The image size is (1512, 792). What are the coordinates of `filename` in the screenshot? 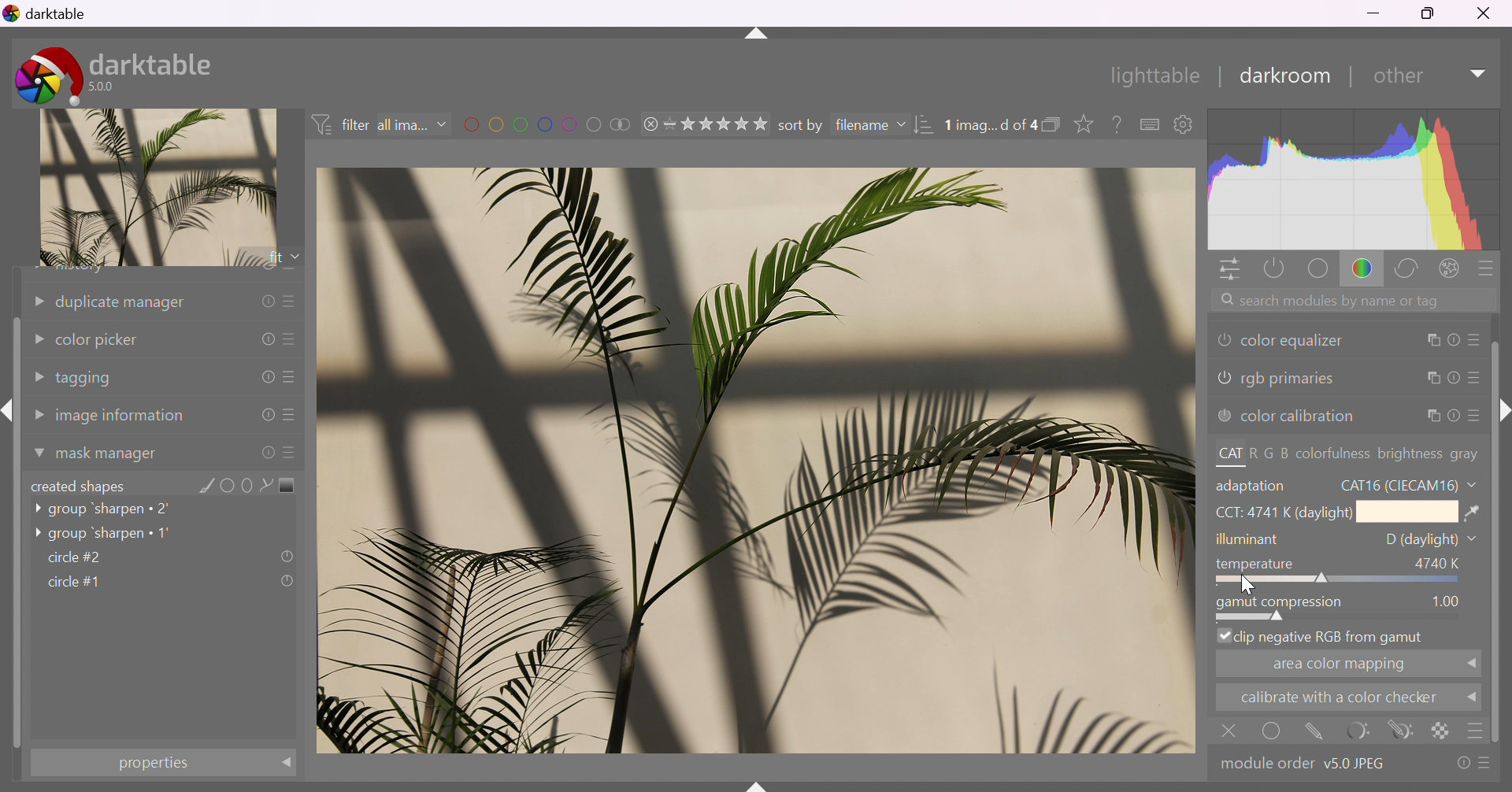 It's located at (870, 125).